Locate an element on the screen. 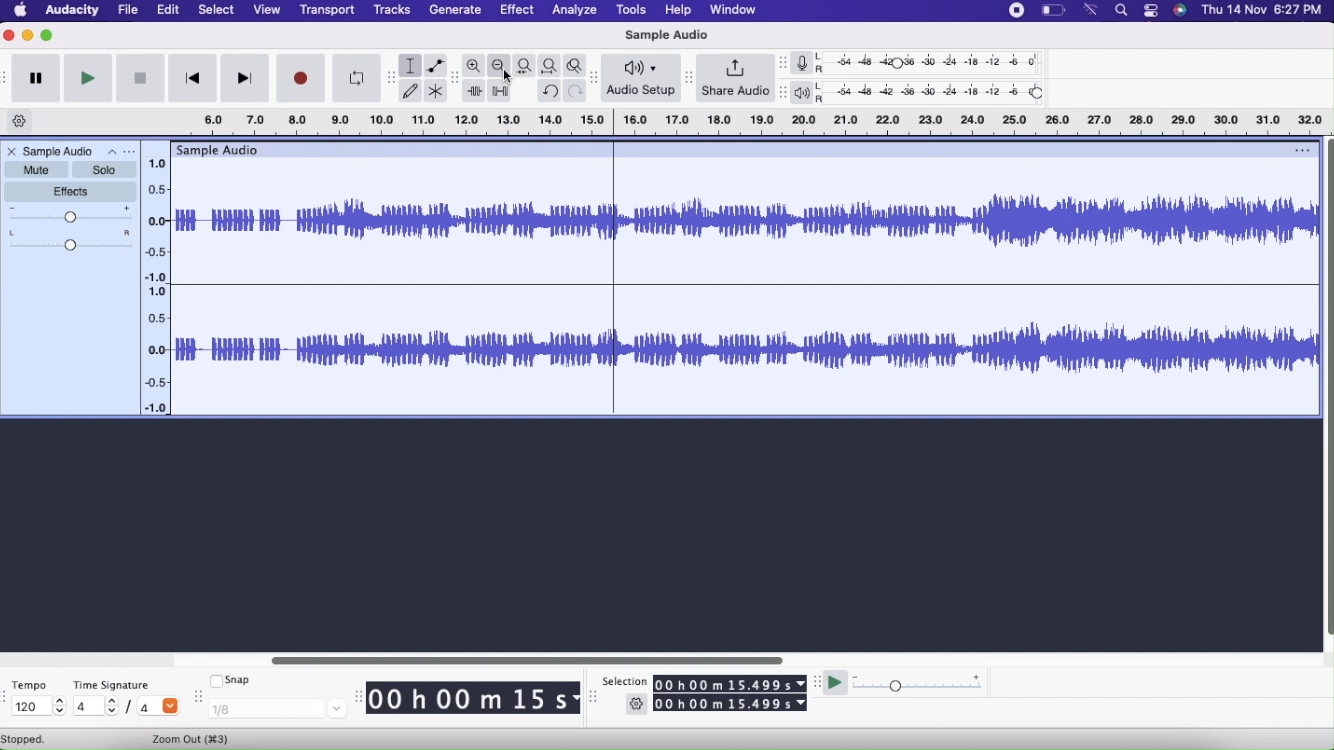  siri is located at coordinates (1183, 13).